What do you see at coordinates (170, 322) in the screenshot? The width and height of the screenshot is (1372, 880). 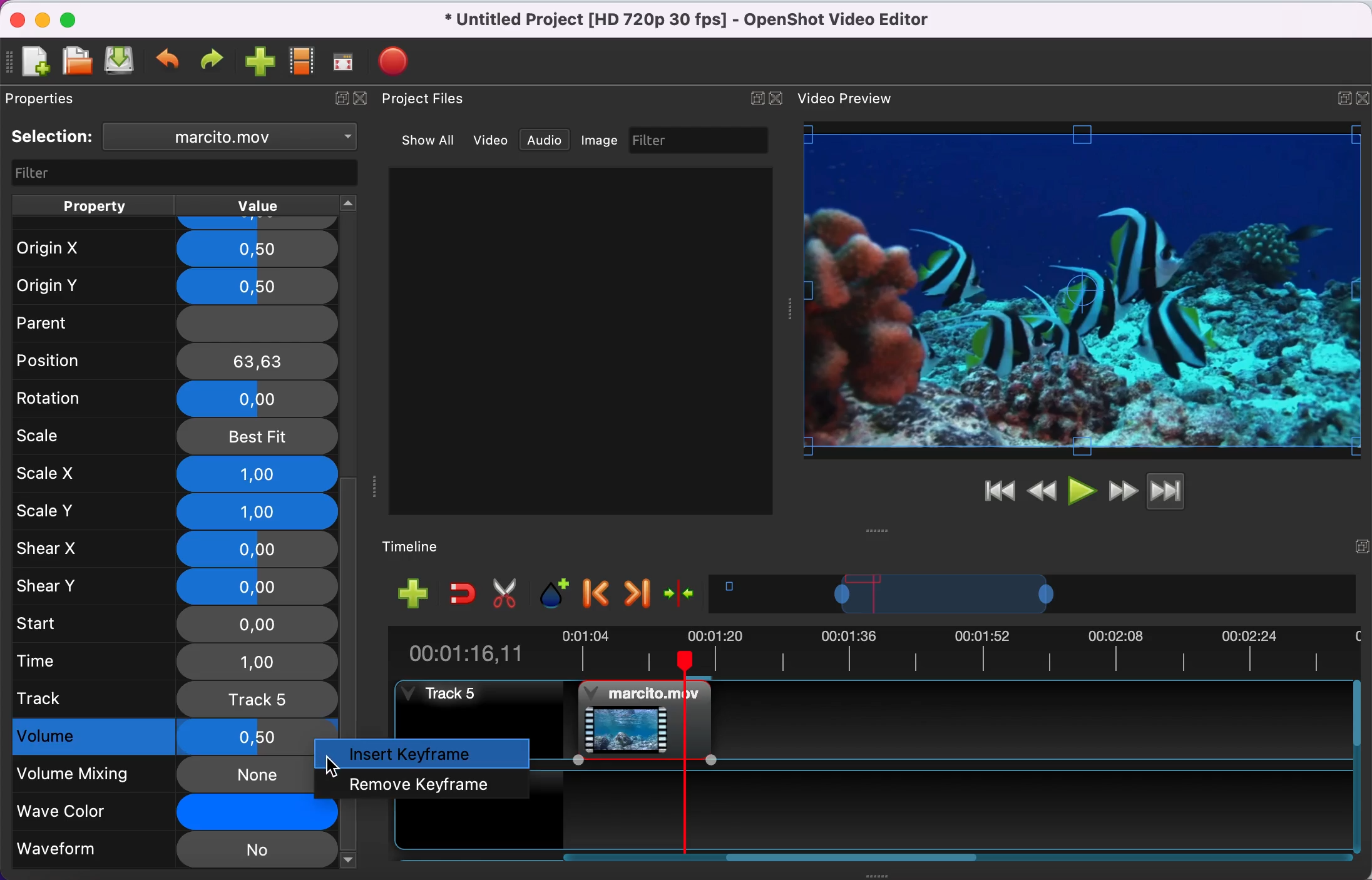 I see `parent` at bounding box center [170, 322].